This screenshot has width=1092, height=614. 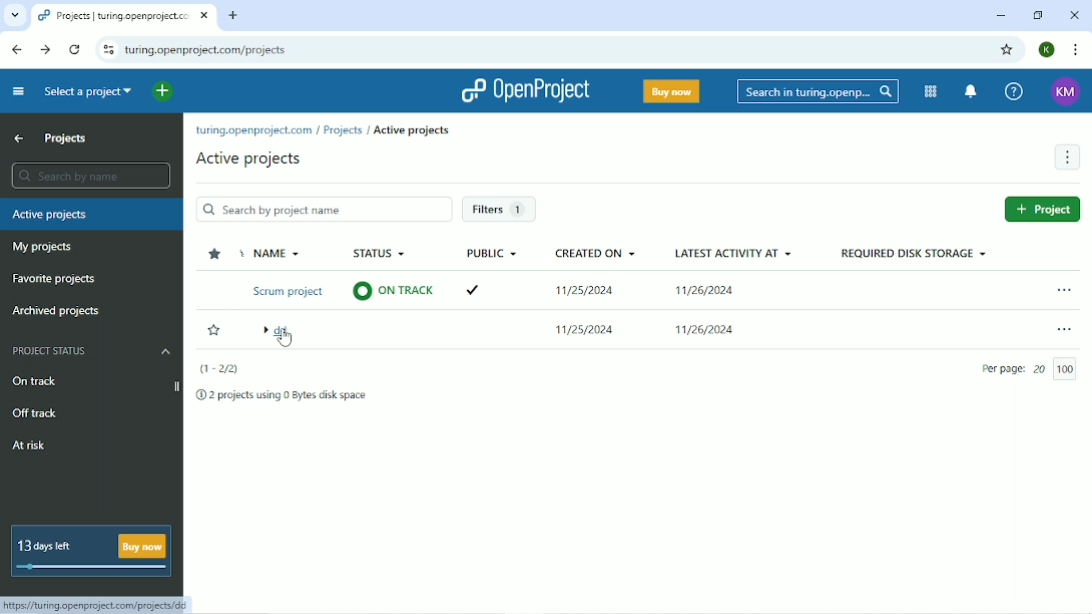 I want to click on Active projects, so click(x=412, y=130).